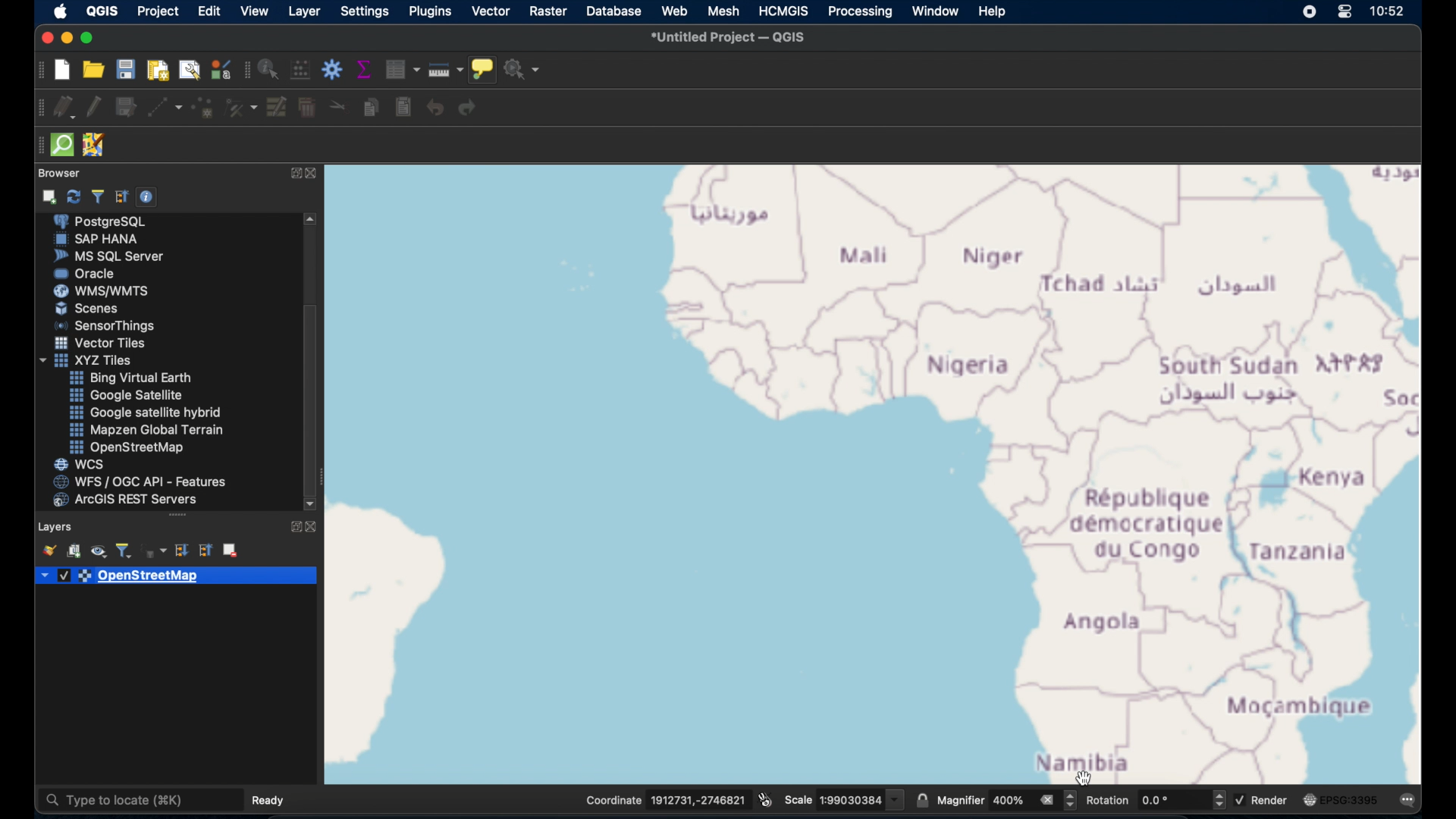 This screenshot has width=1456, height=819. Describe the element at coordinates (63, 146) in the screenshot. I see `quick som` at that location.